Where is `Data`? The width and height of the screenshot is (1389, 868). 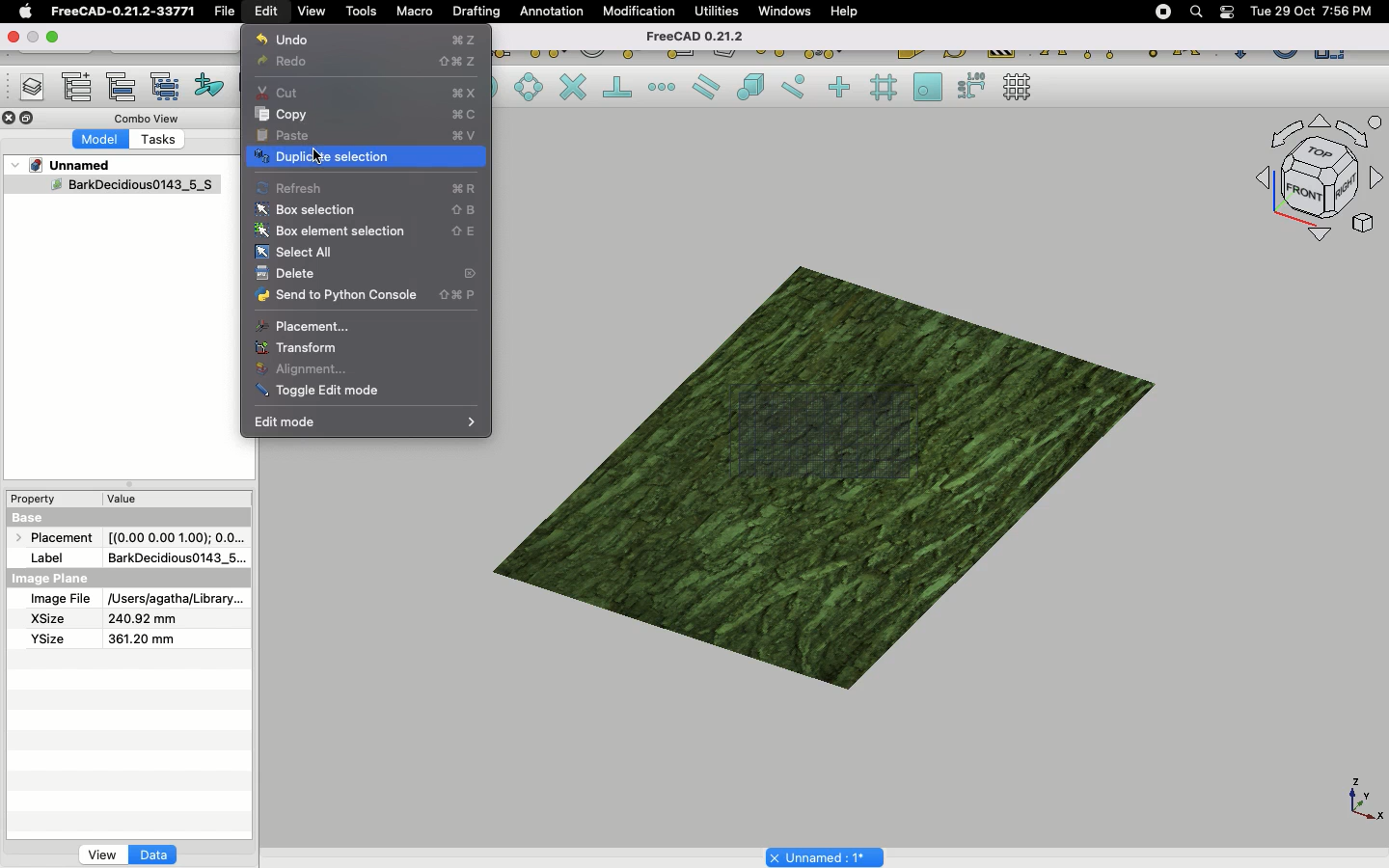 Data is located at coordinates (153, 854).